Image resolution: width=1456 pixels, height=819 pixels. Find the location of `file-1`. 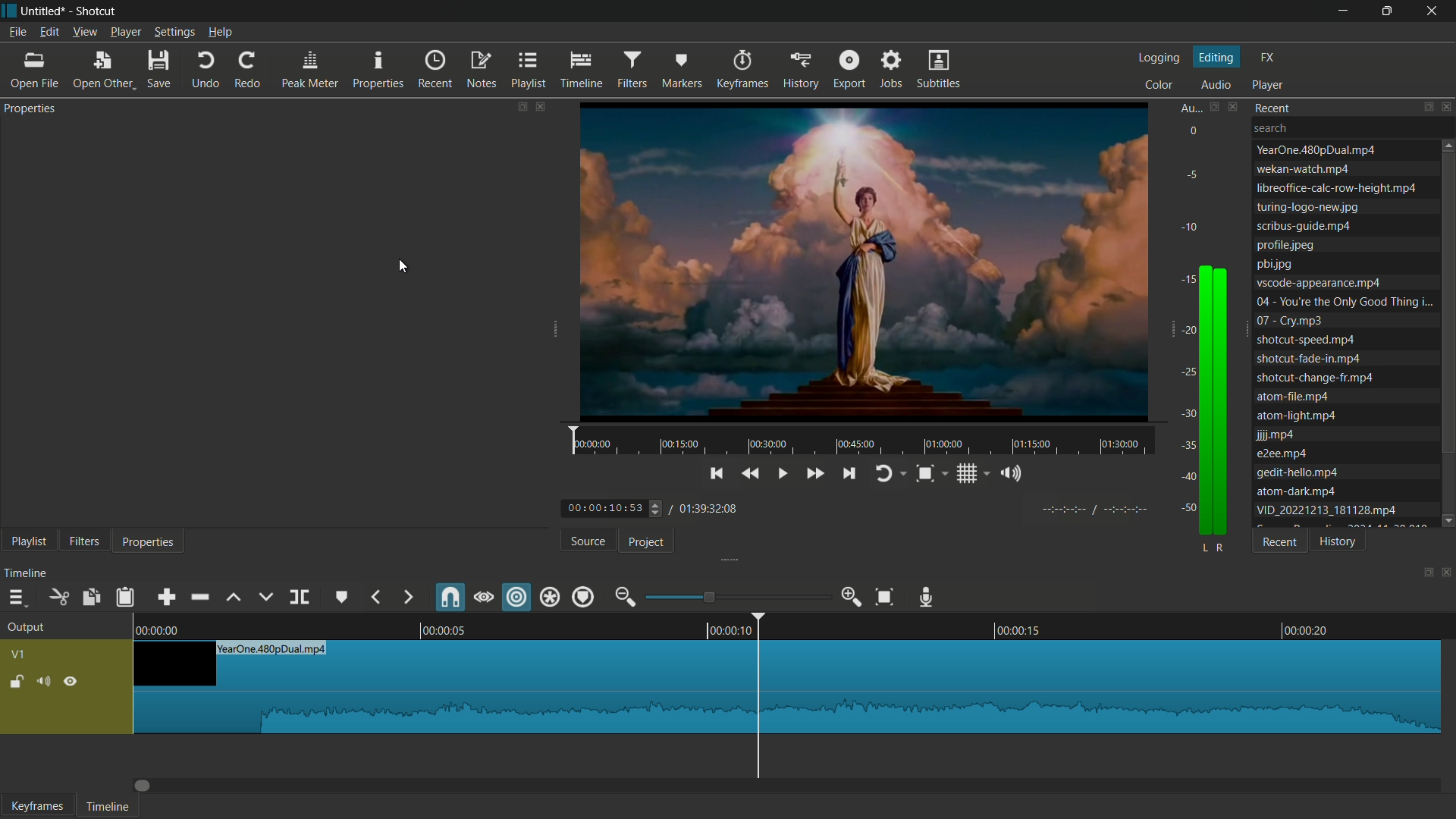

file-1 is located at coordinates (1314, 149).